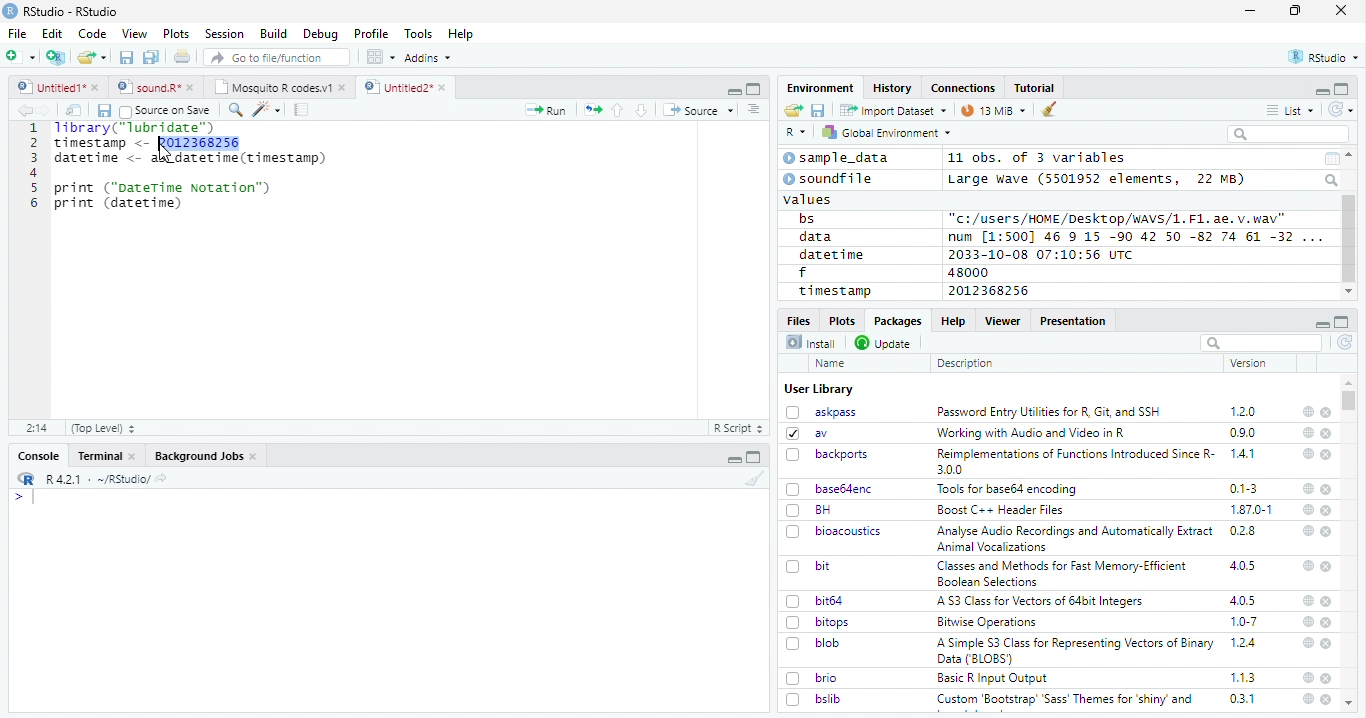  I want to click on Console, so click(38, 456).